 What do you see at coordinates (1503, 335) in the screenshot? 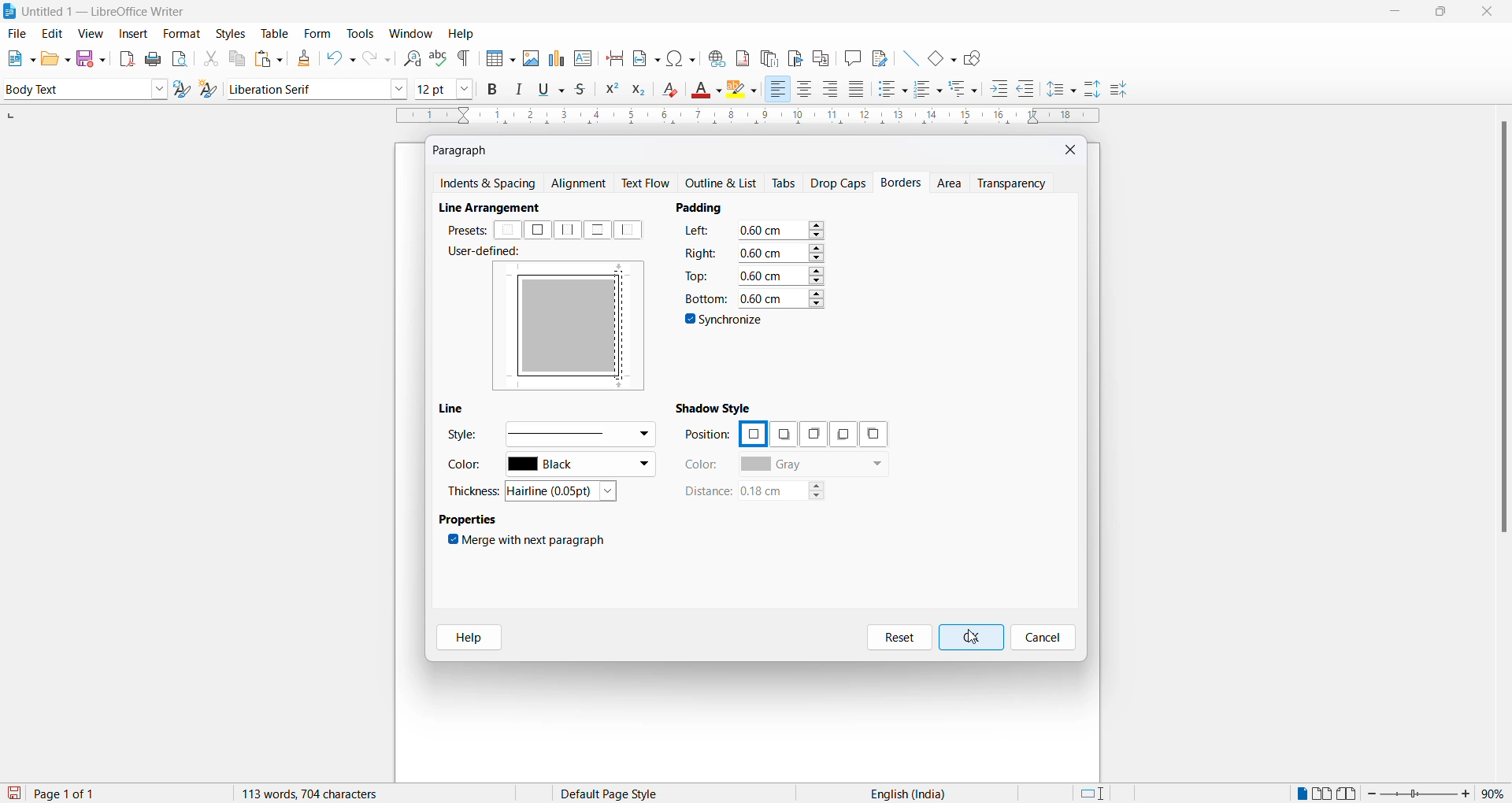
I see `scrollbar` at bounding box center [1503, 335].